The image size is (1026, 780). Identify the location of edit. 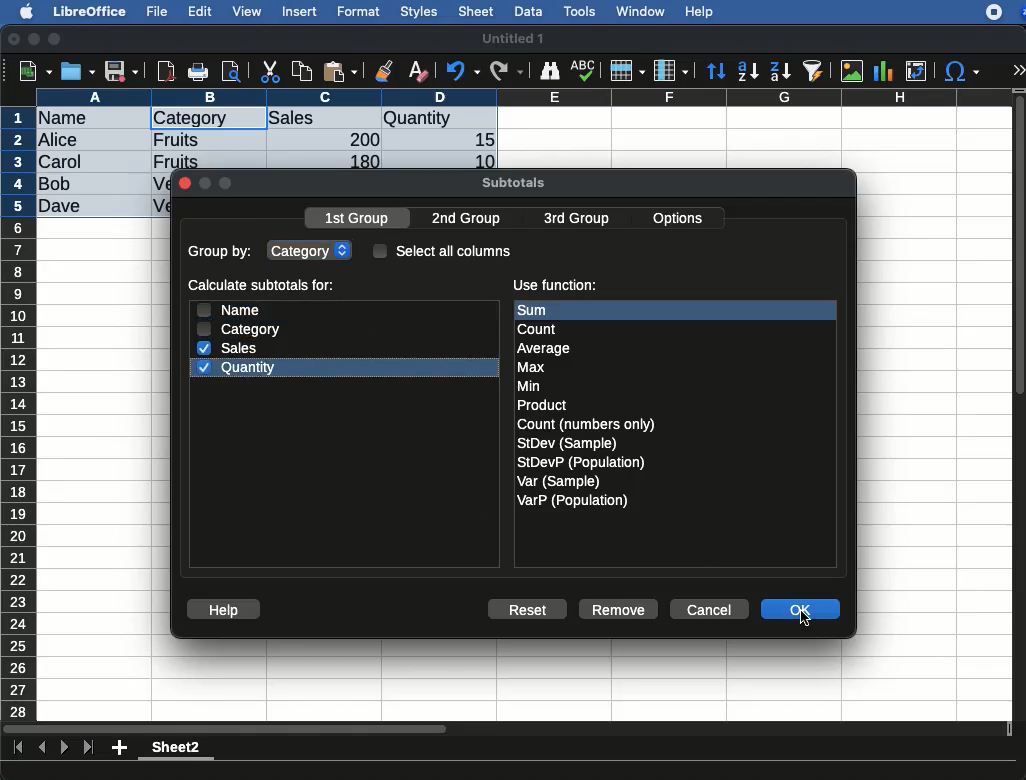
(200, 11).